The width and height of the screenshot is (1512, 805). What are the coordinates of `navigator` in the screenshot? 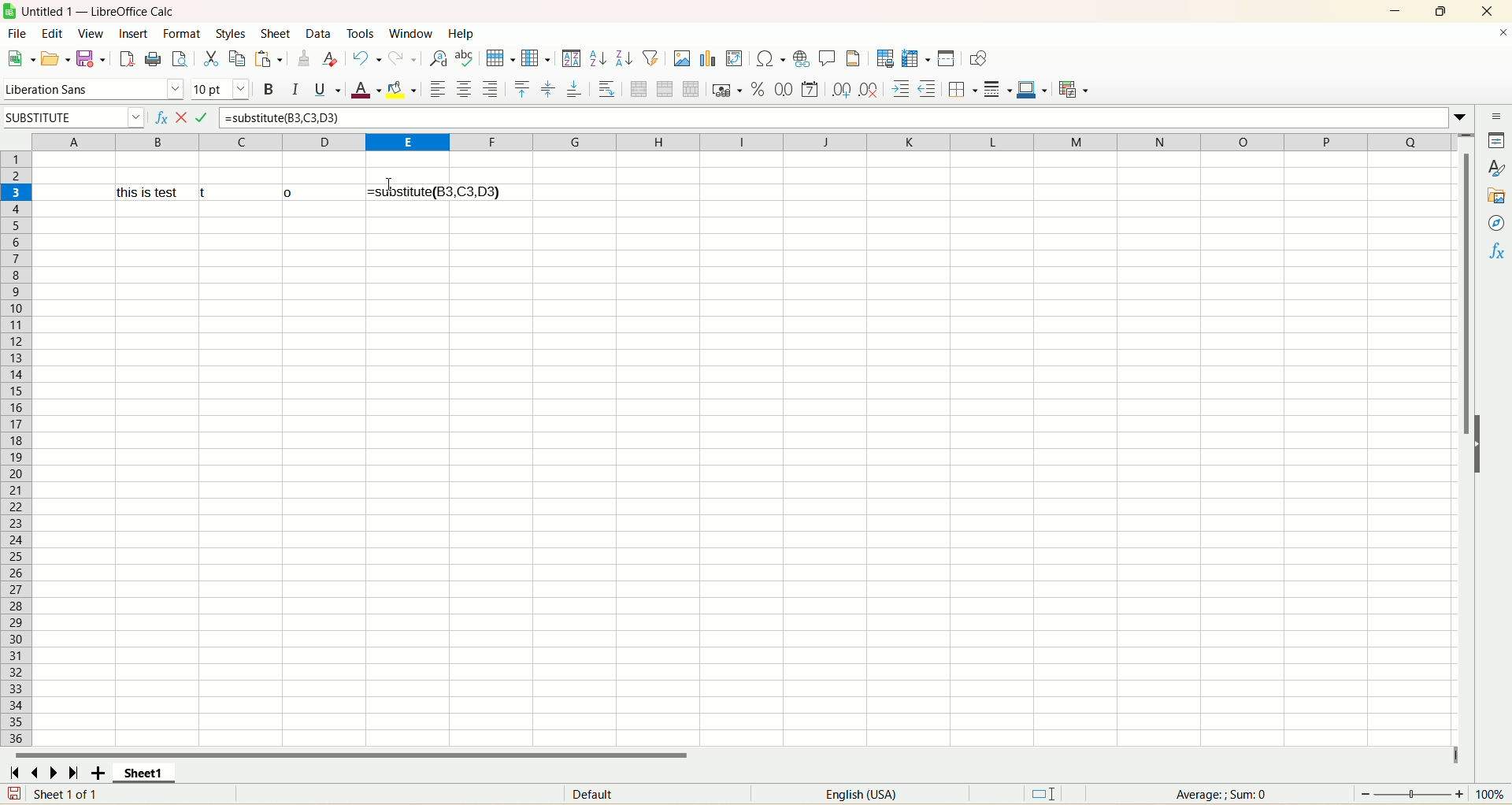 It's located at (1495, 224).